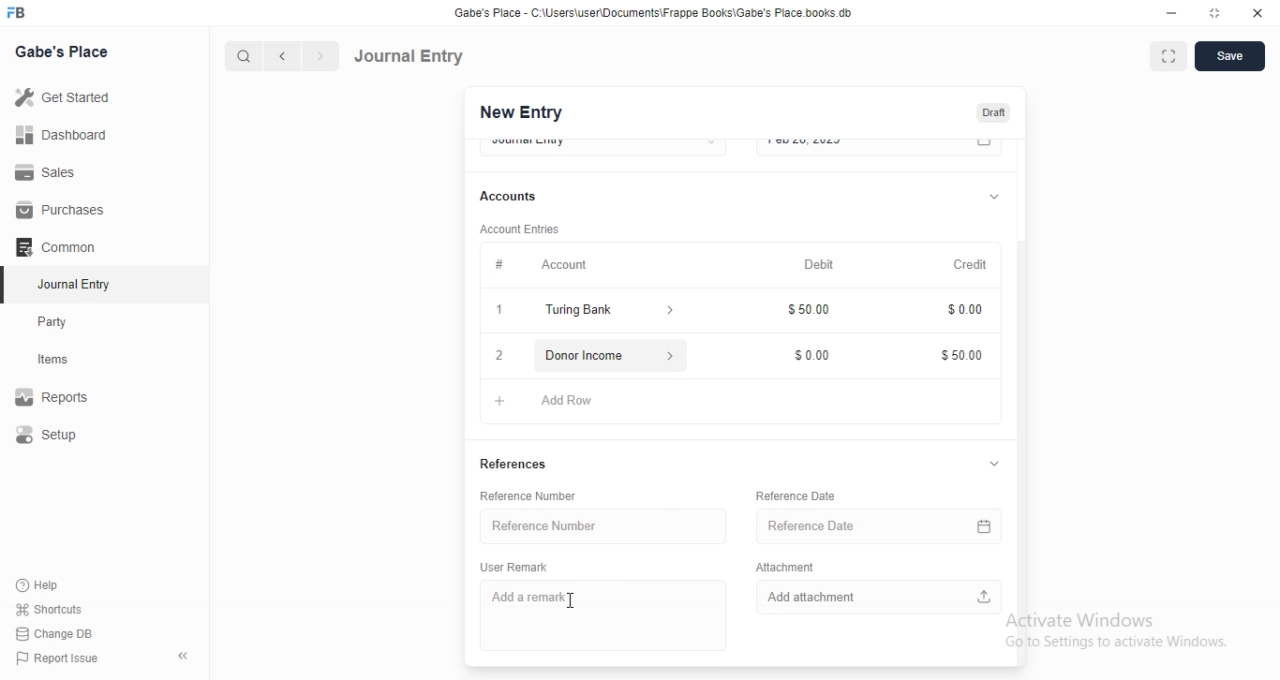 The height and width of the screenshot is (680, 1280). Describe the element at coordinates (534, 263) in the screenshot. I see `Account` at that location.